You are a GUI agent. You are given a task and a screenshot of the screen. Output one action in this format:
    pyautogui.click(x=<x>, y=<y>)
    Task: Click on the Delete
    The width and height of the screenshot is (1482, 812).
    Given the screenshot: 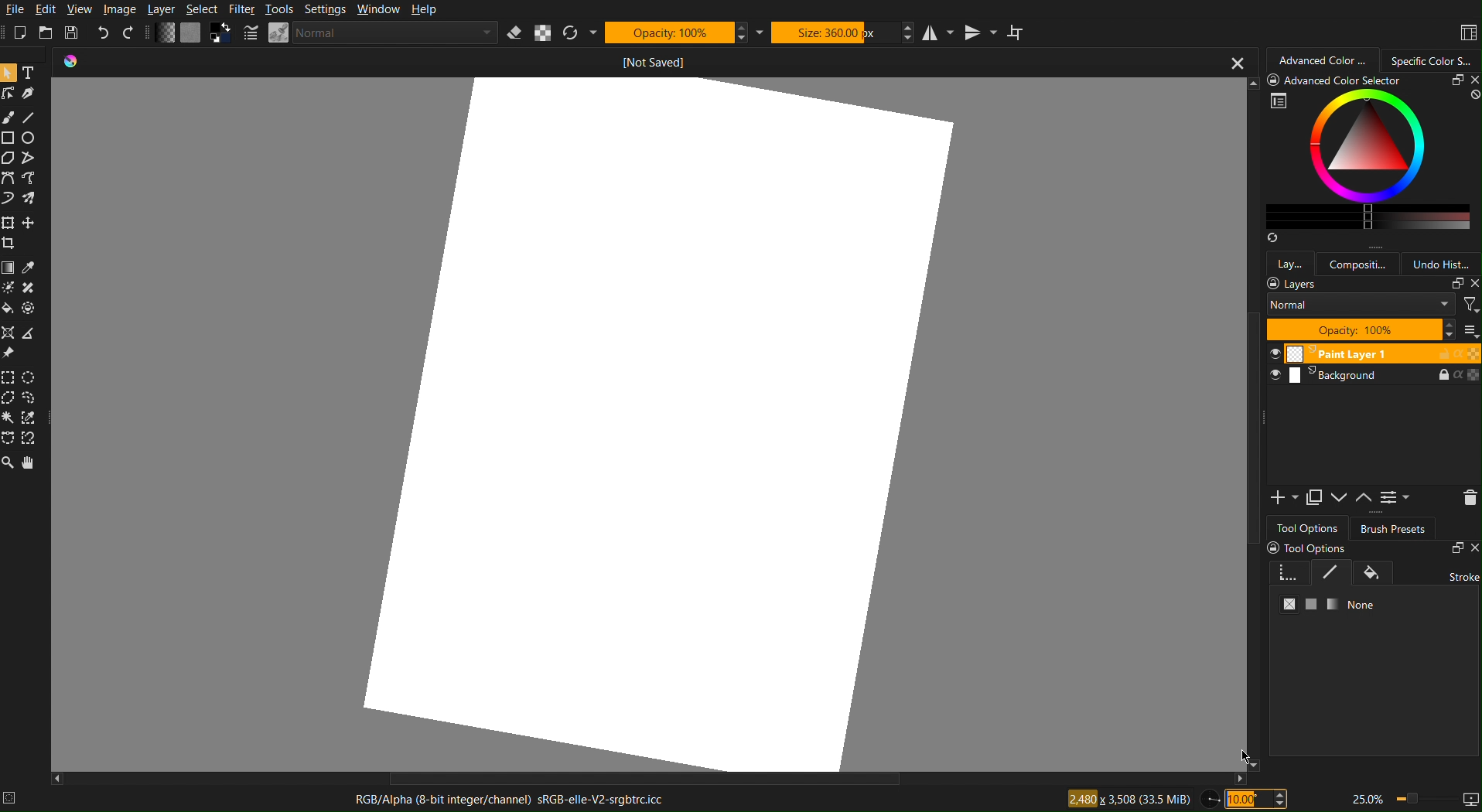 What is the action you would take?
    pyautogui.click(x=1467, y=498)
    